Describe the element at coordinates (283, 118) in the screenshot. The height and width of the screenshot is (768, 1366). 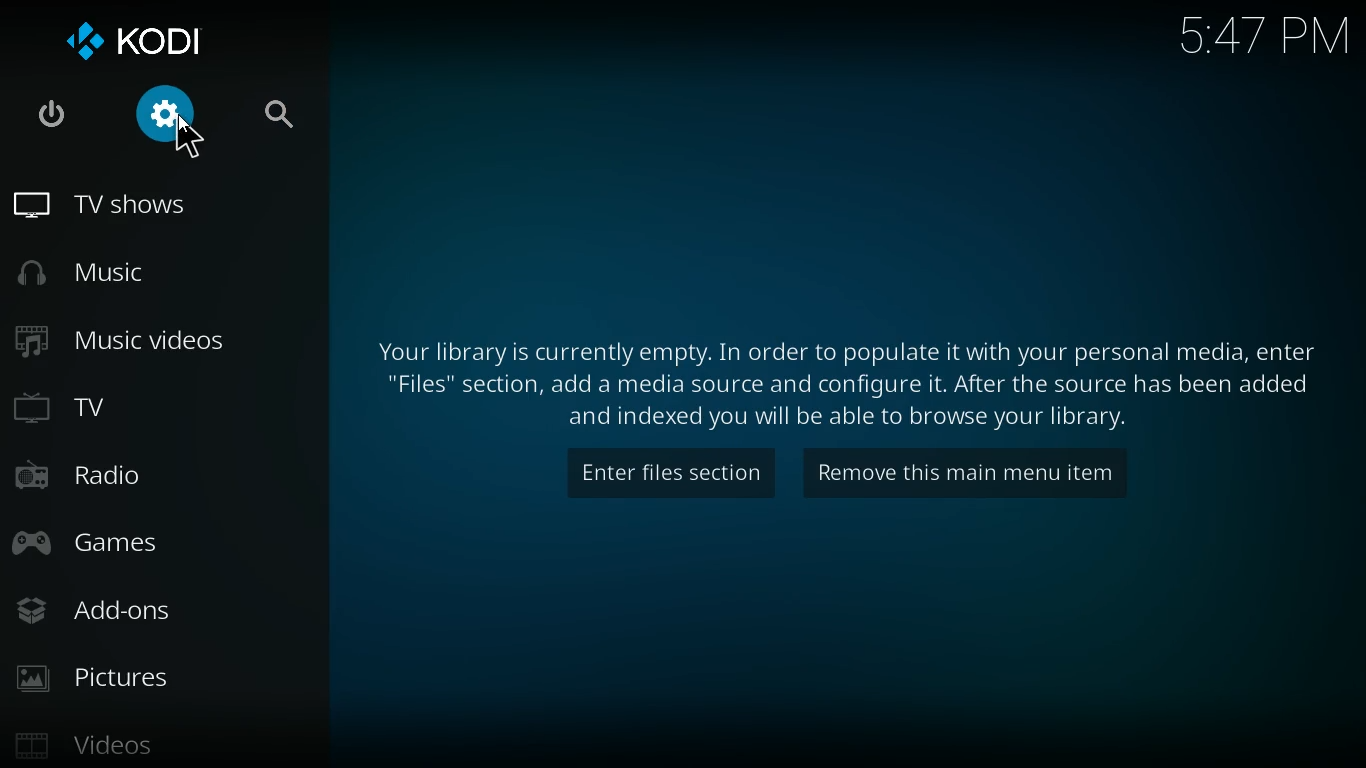
I see `search` at that location.